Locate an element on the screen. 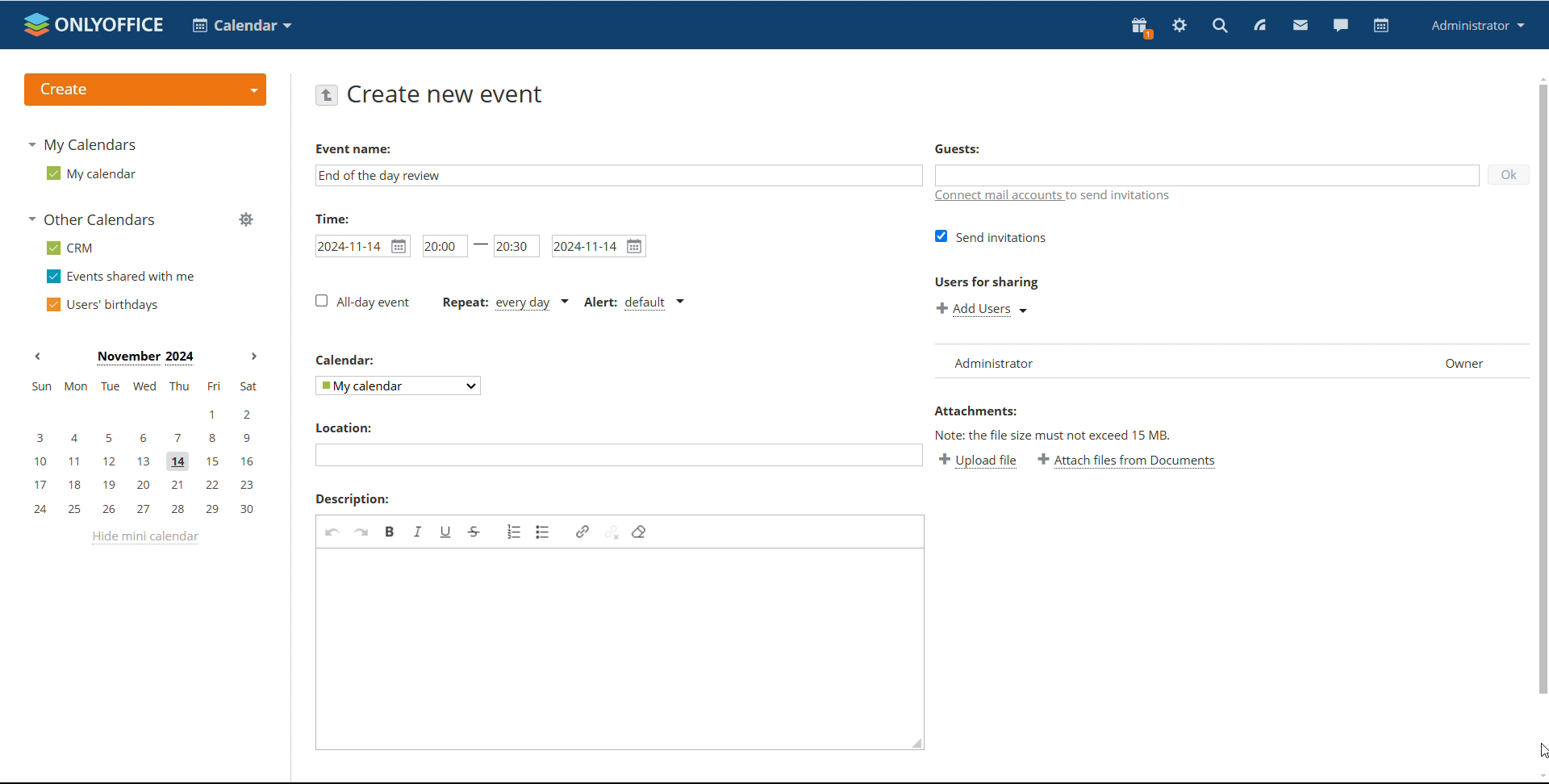  17, 18, 19, 20, 21, 22, 23 is located at coordinates (148, 485).